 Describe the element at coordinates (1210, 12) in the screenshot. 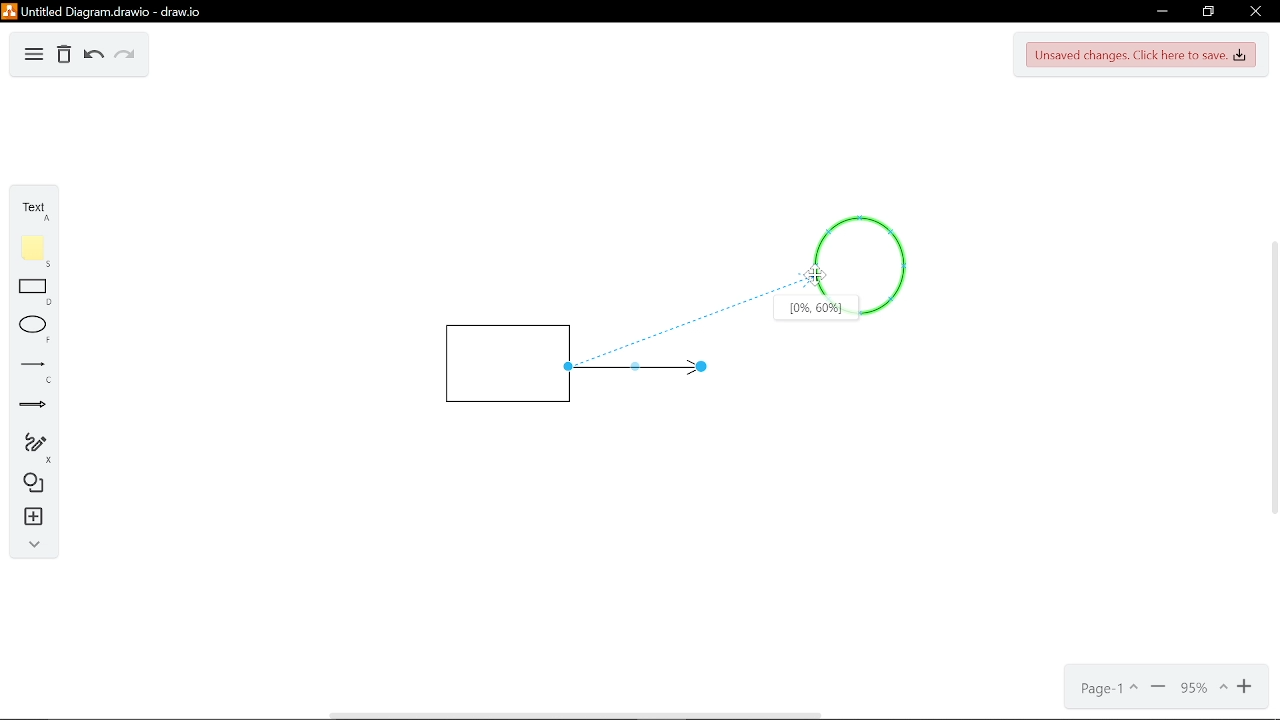

I see `Restore down` at that location.